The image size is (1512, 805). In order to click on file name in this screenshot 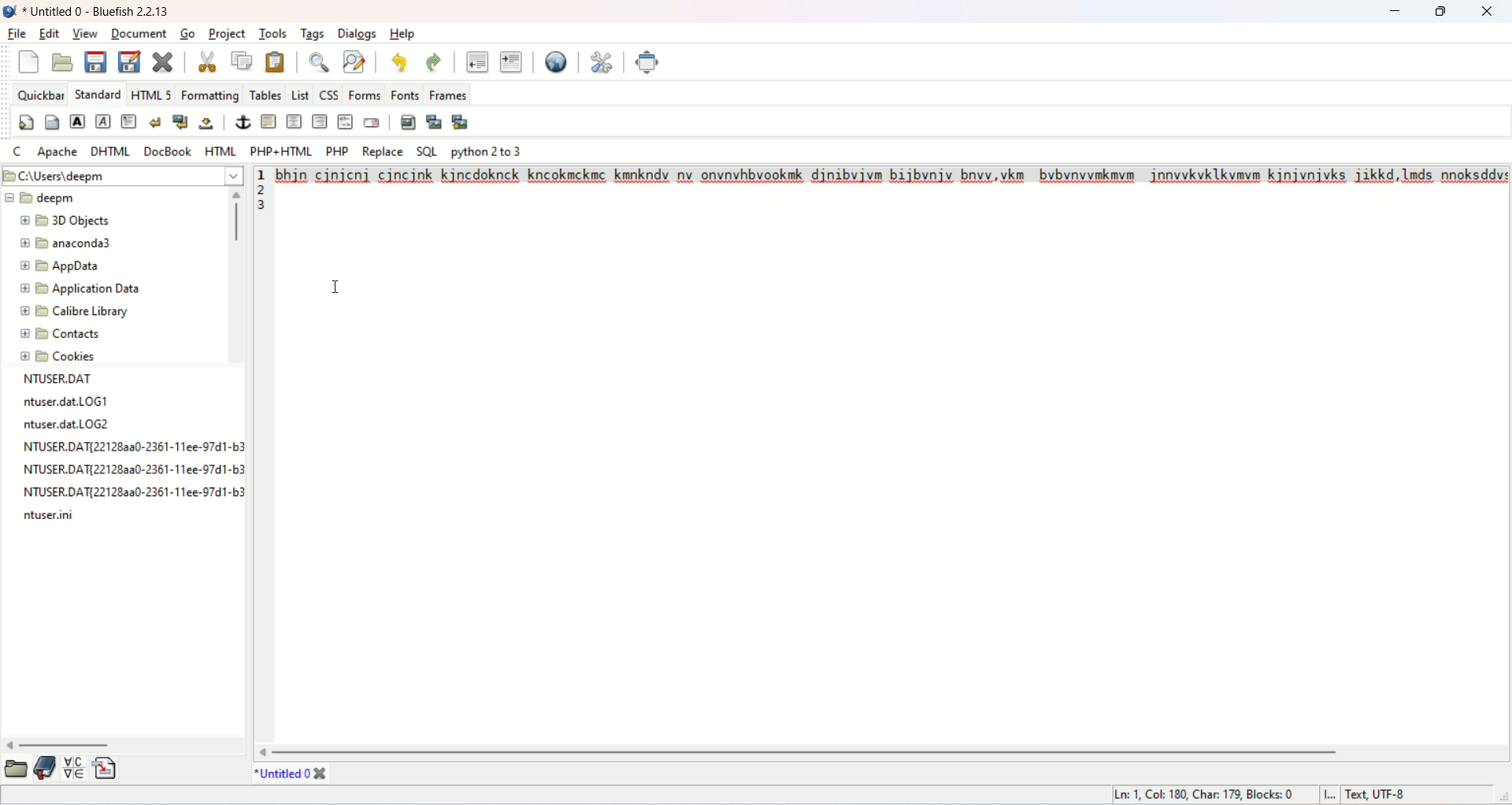, I will do `click(130, 468)`.